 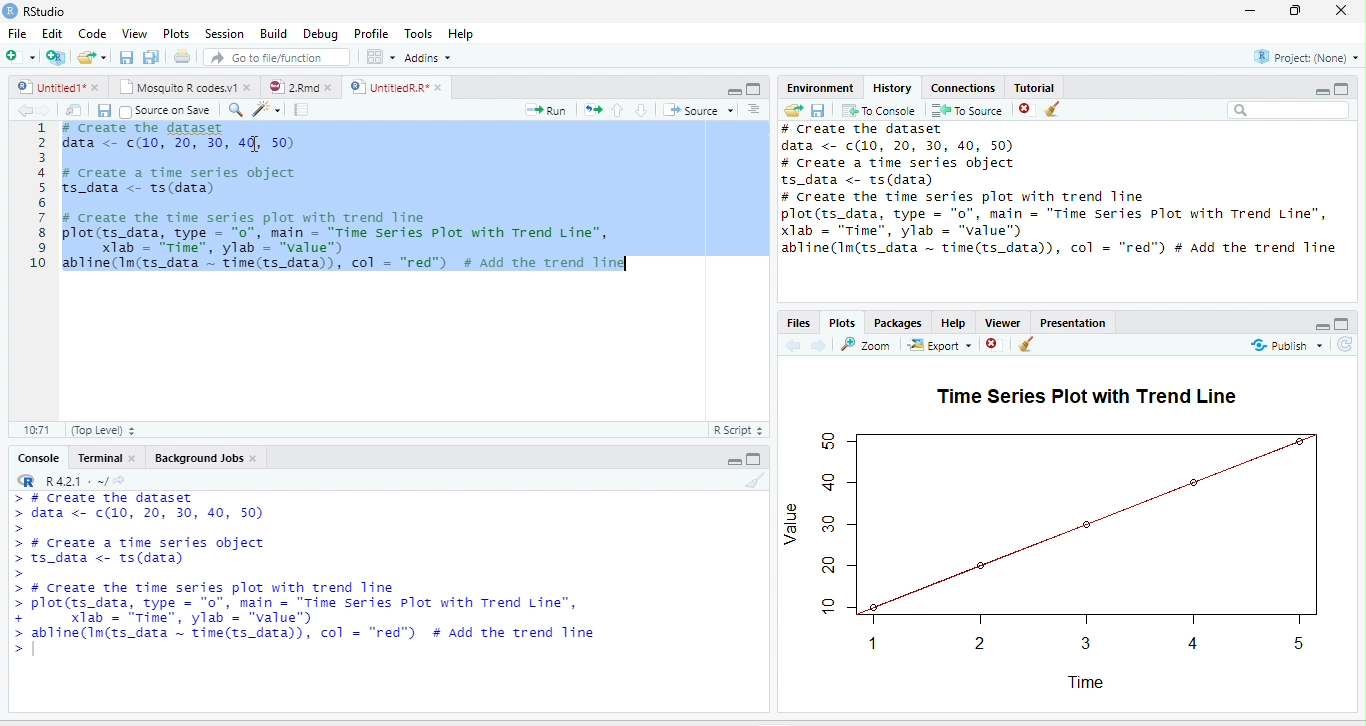 I want to click on Save current document, so click(x=104, y=111).